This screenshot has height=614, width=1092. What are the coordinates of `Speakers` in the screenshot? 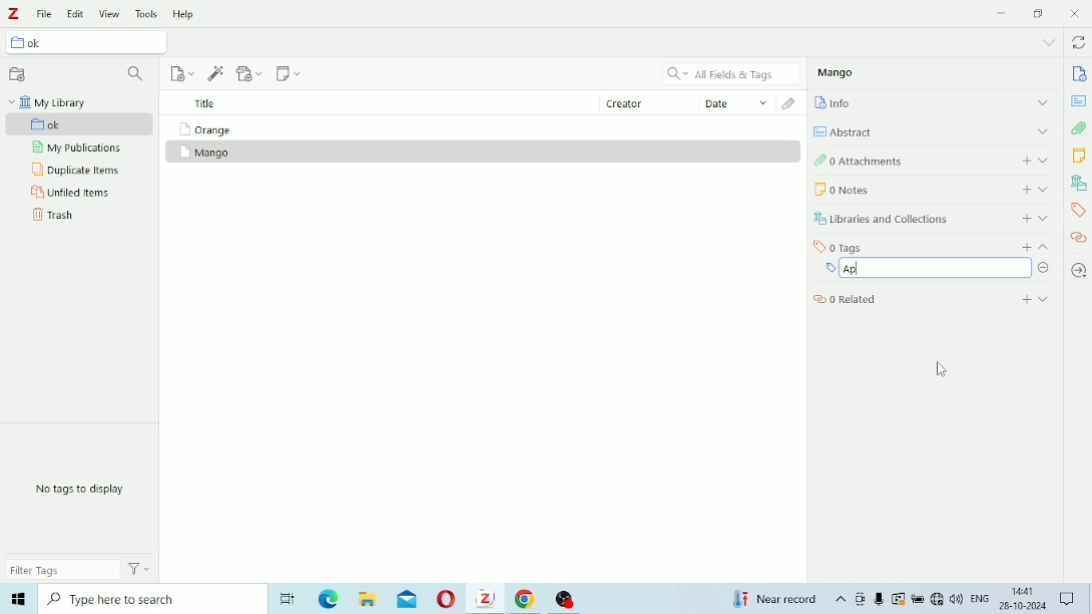 It's located at (957, 599).